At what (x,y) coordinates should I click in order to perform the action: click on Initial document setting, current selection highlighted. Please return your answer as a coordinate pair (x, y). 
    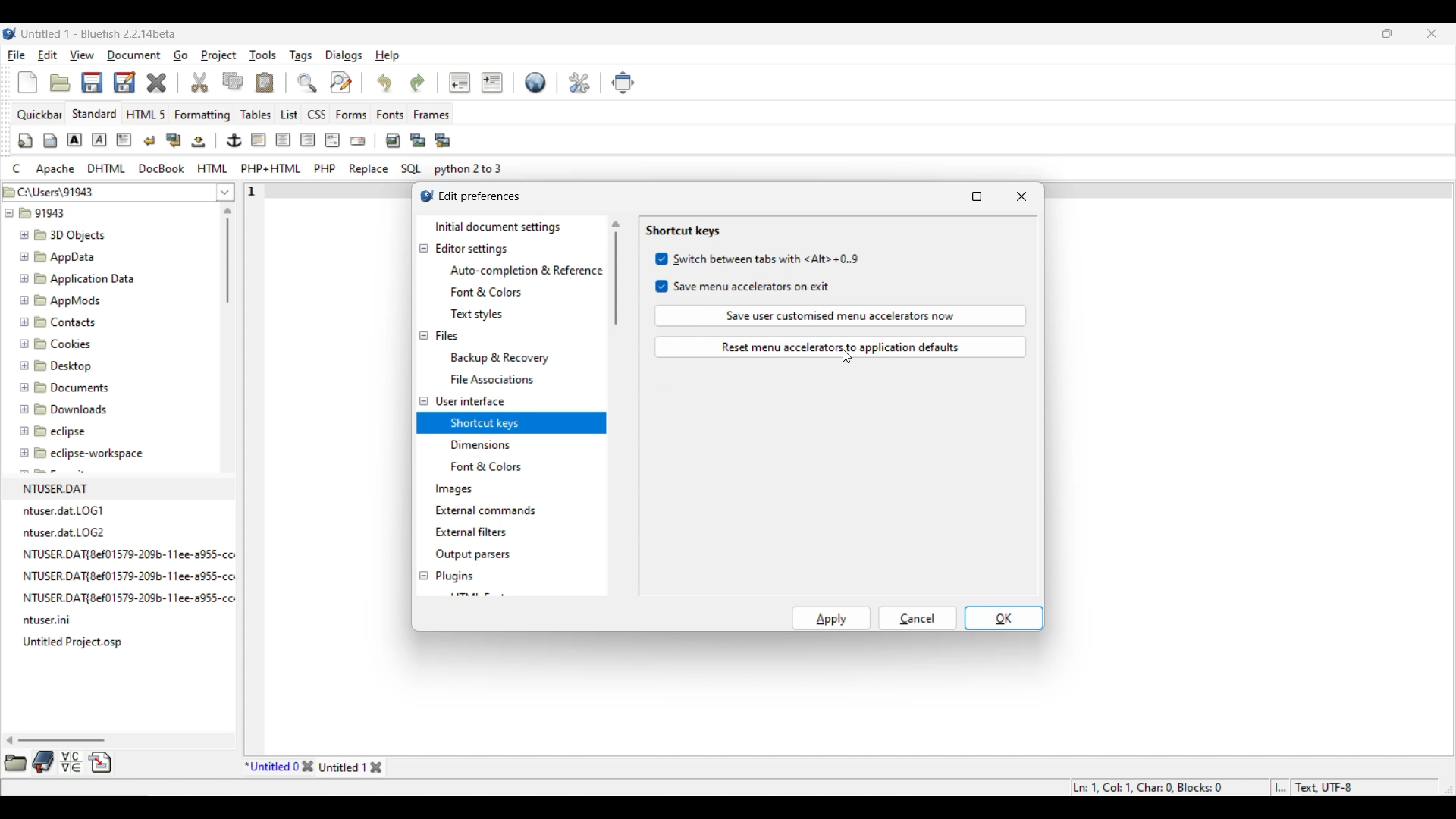
    Looking at the image, I should click on (510, 227).